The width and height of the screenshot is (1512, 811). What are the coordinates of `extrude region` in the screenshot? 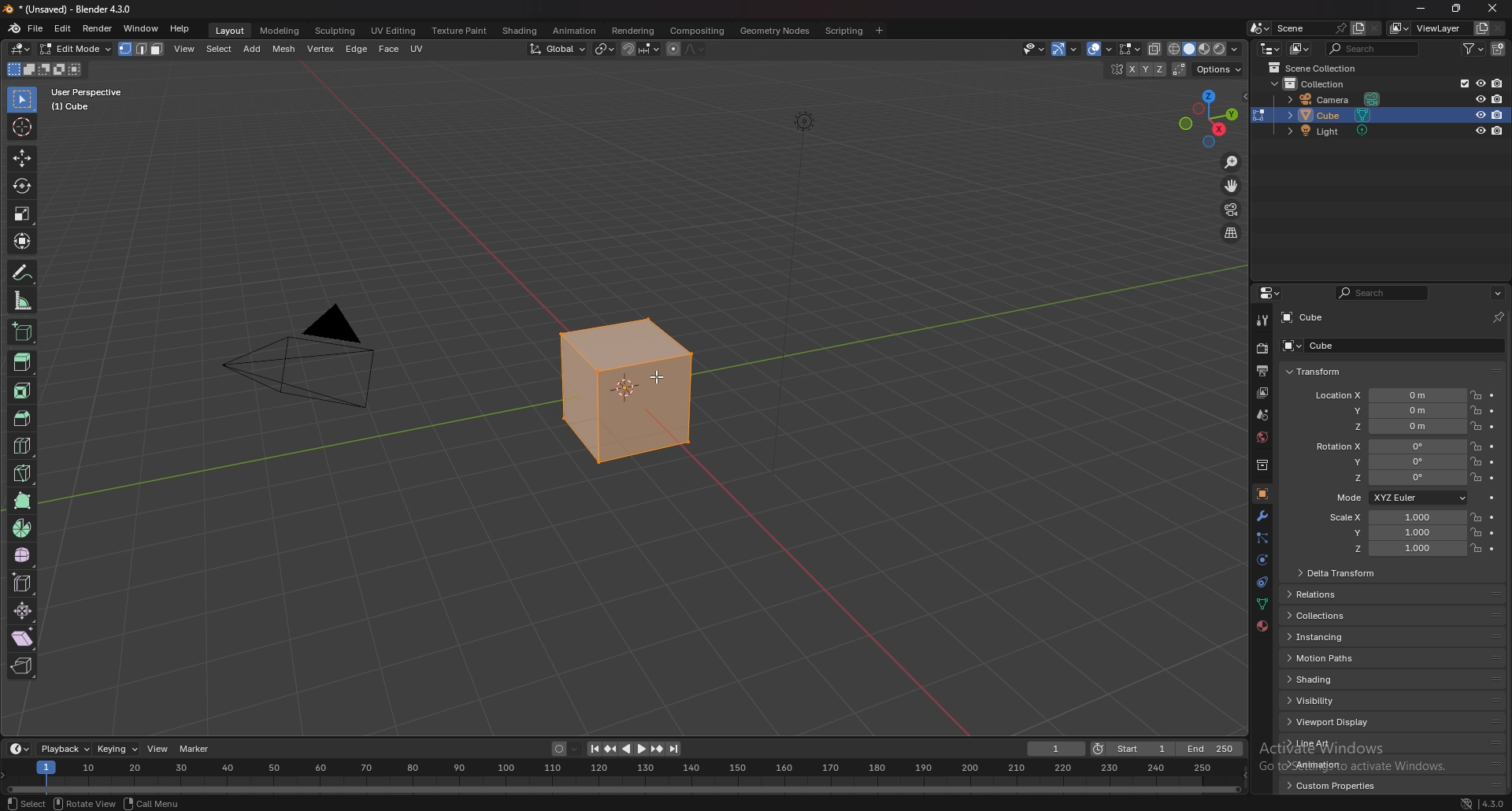 It's located at (22, 362).